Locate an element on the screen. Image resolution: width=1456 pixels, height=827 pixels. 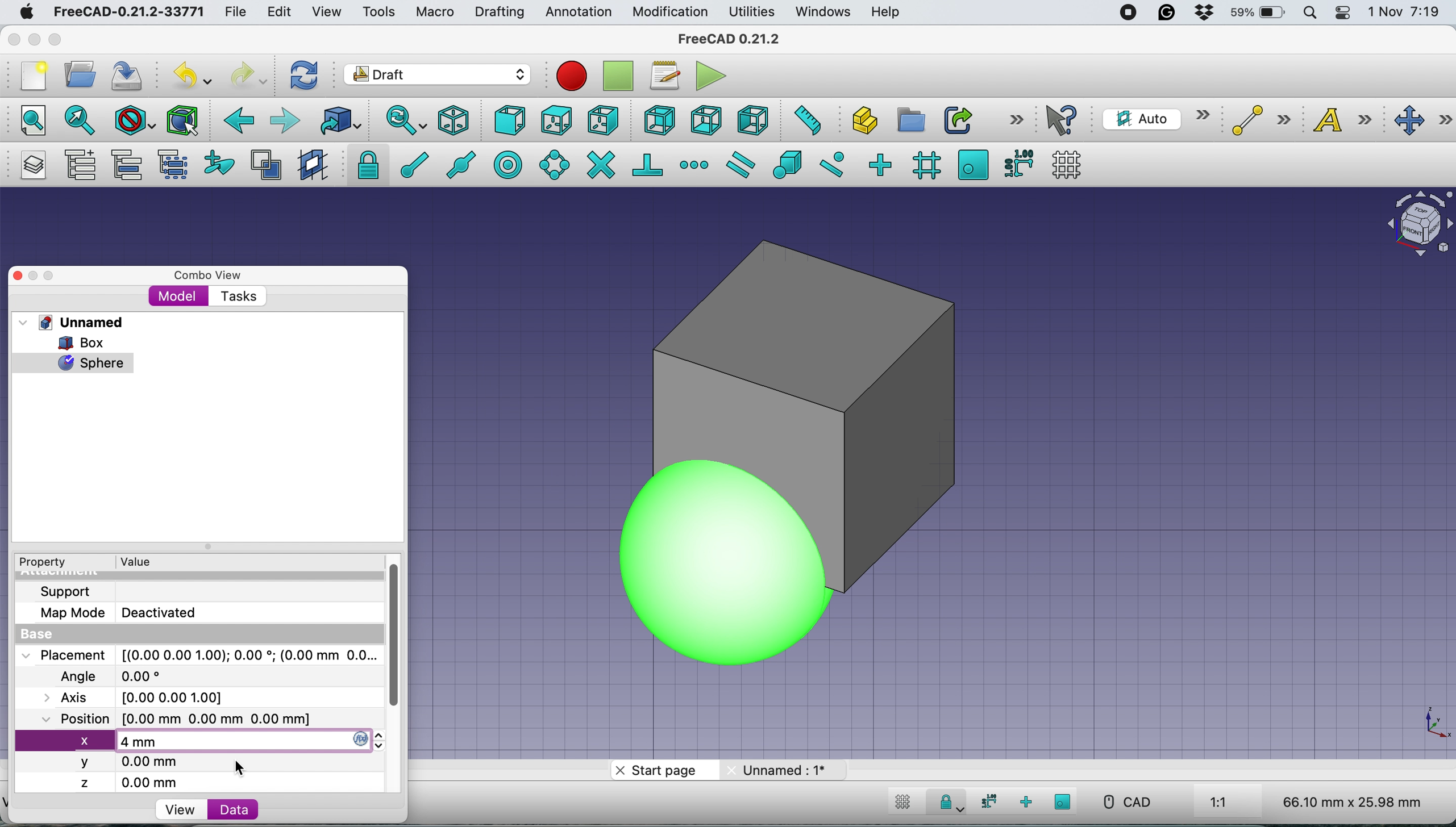
macros is located at coordinates (664, 76).